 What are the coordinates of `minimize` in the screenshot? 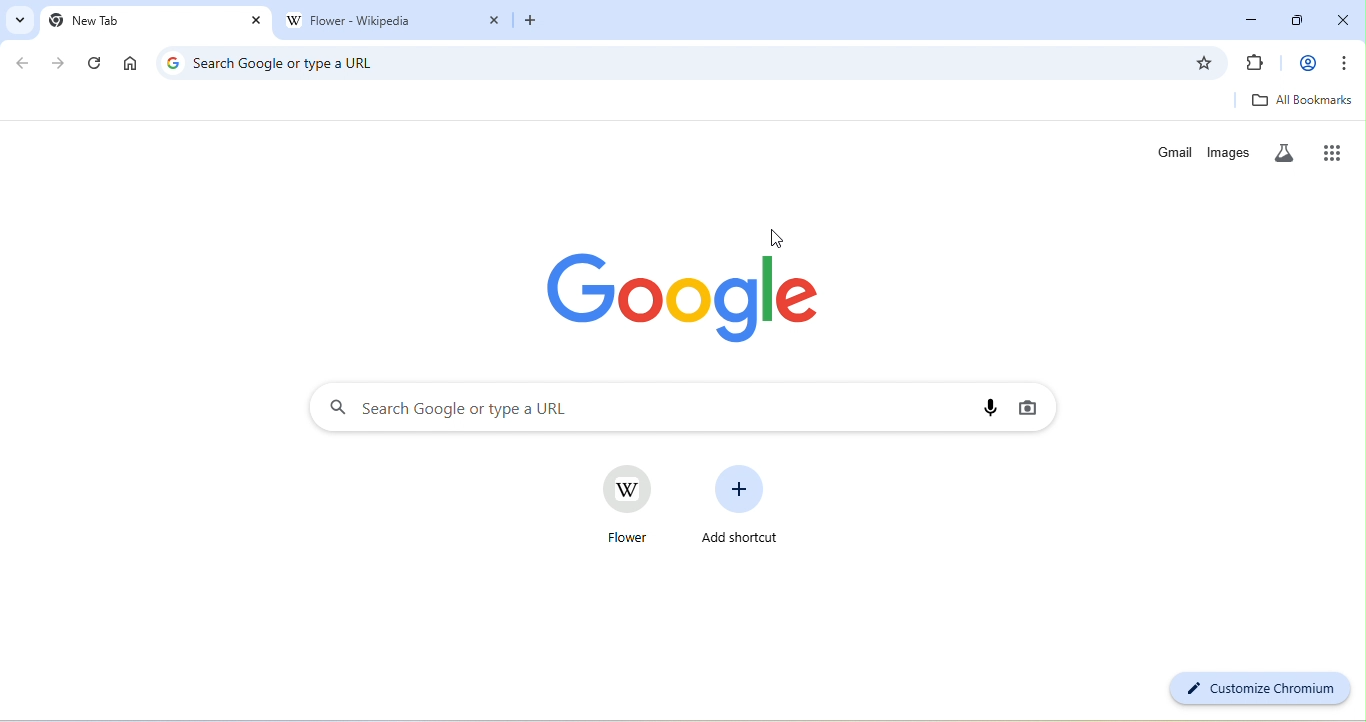 It's located at (1252, 17).